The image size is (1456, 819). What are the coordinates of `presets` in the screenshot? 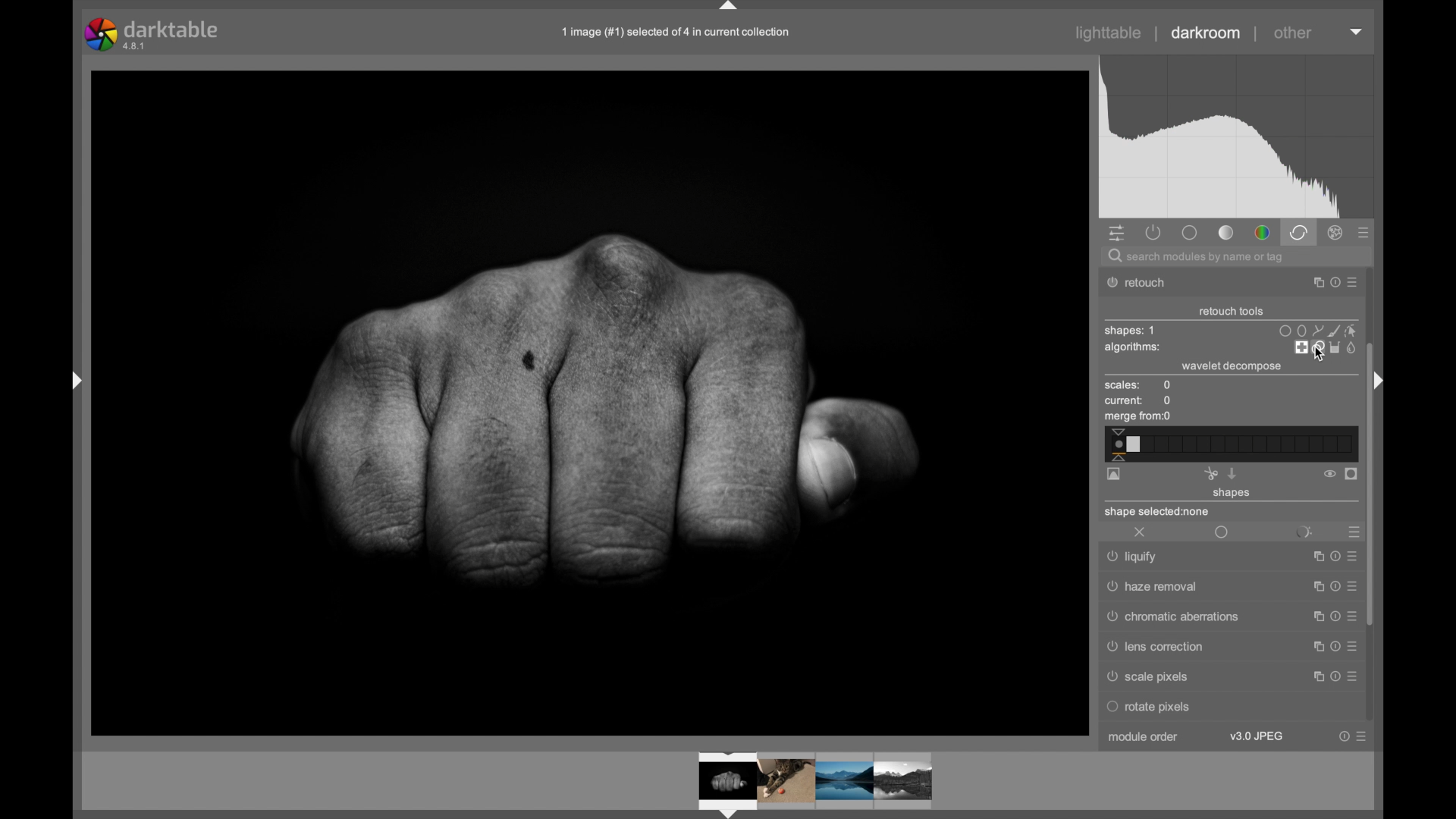 It's located at (1364, 234).